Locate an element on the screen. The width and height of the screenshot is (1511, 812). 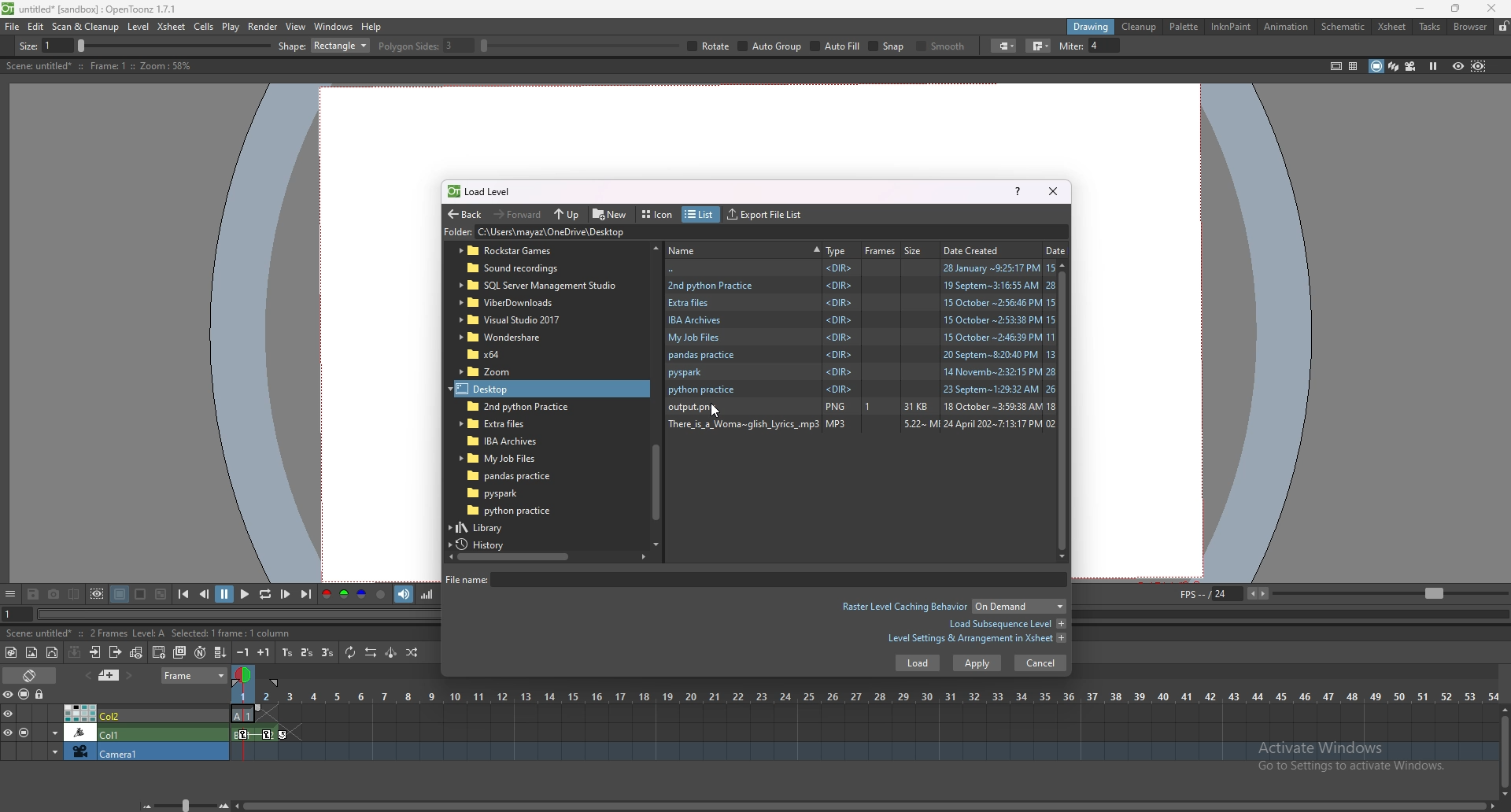
description is located at coordinates (98, 66).